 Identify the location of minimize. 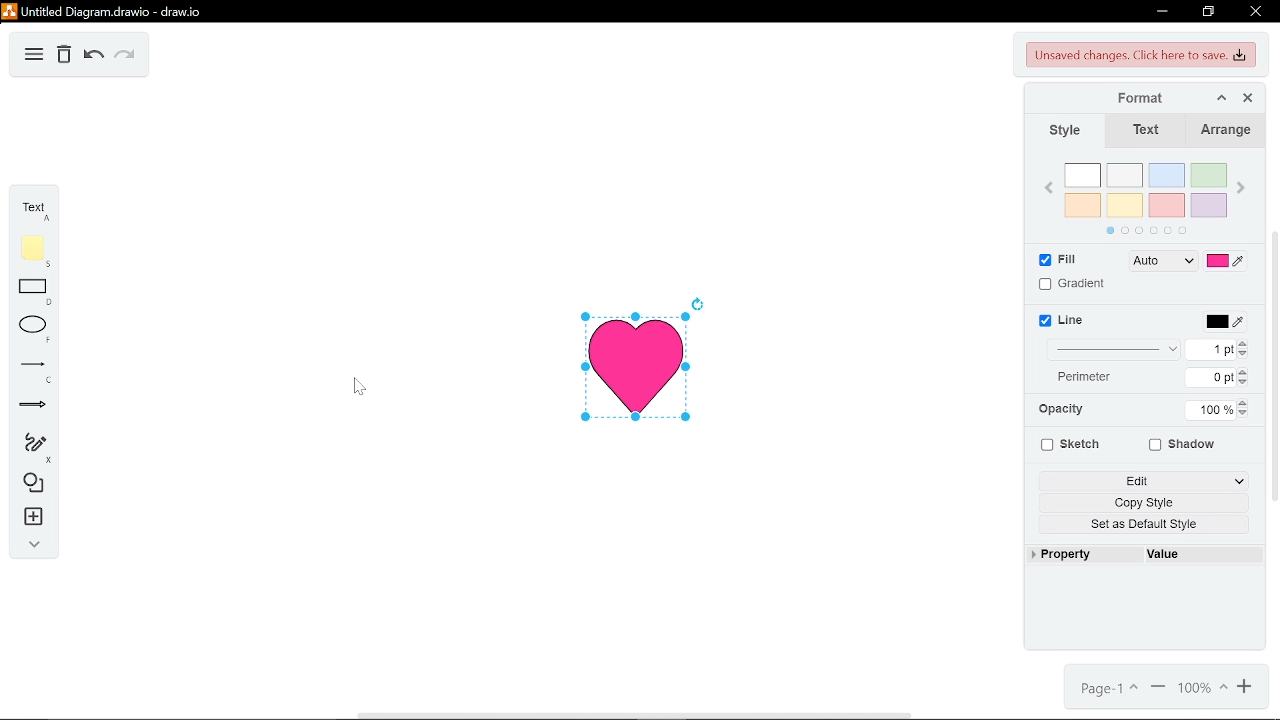
(1161, 11).